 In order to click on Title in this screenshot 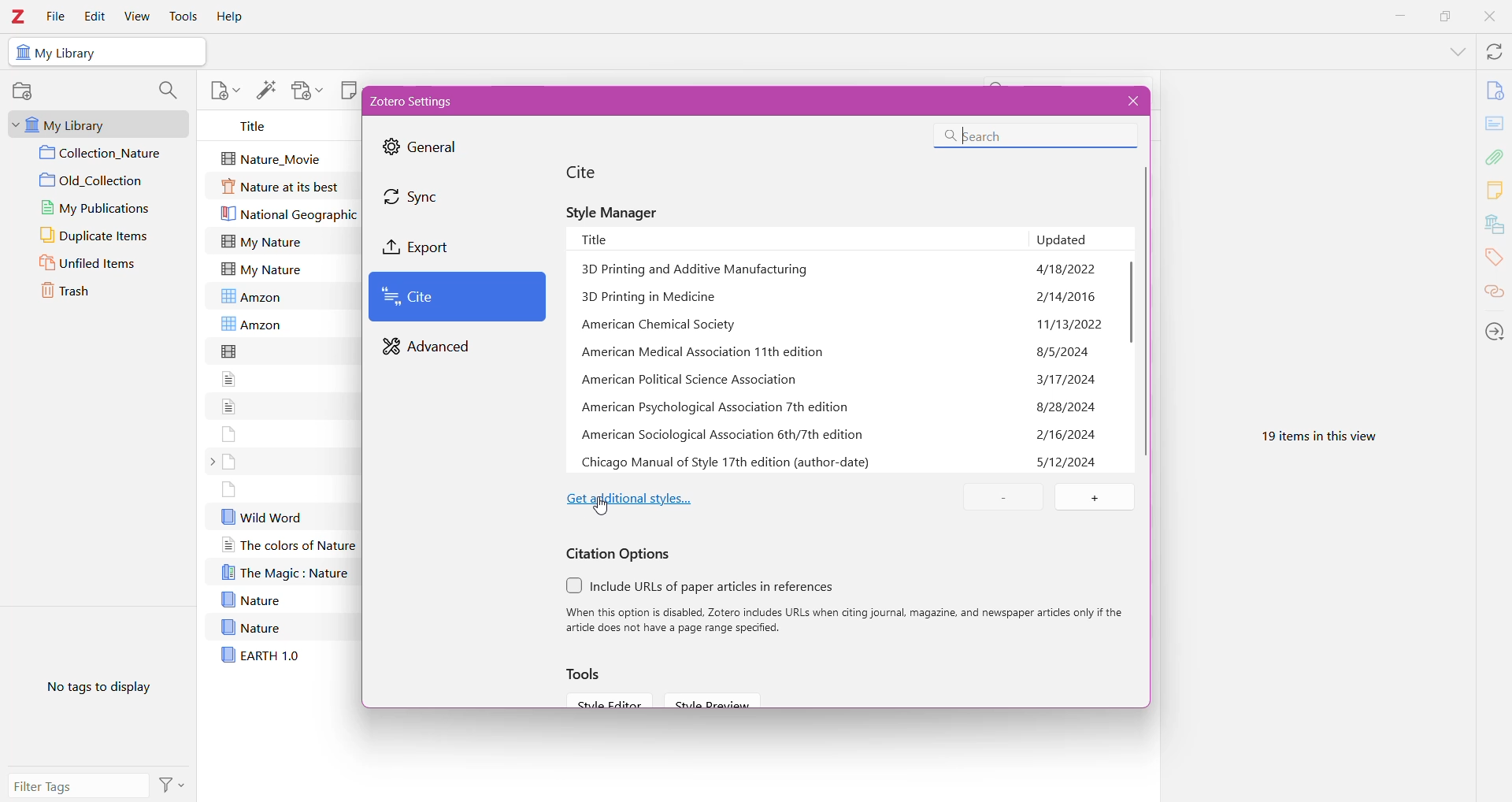, I will do `click(799, 238)`.